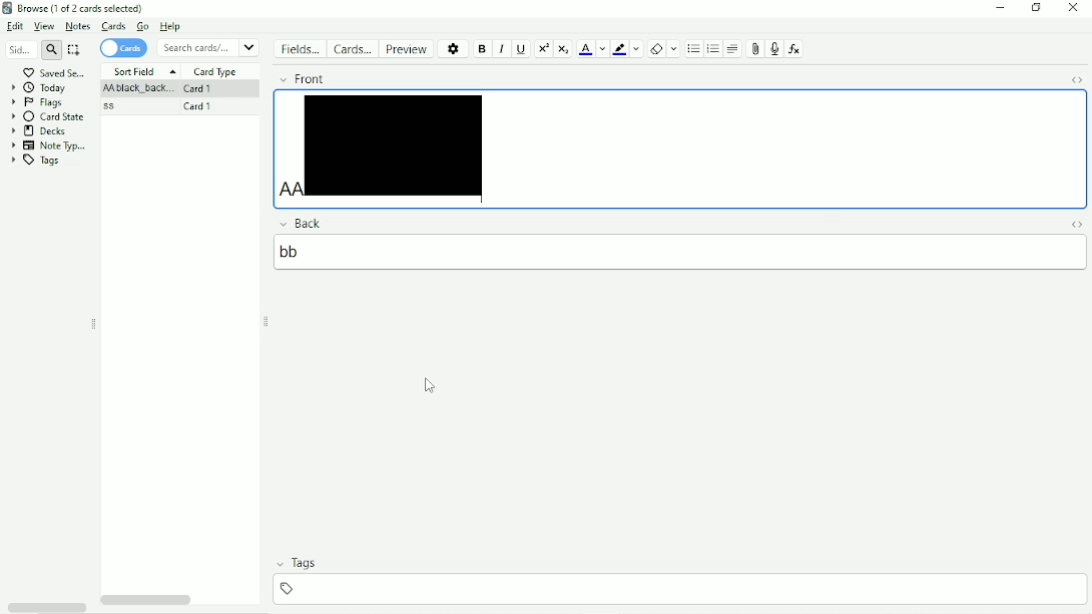 The height and width of the screenshot is (614, 1092). Describe the element at coordinates (713, 49) in the screenshot. I see `Ordered list` at that location.